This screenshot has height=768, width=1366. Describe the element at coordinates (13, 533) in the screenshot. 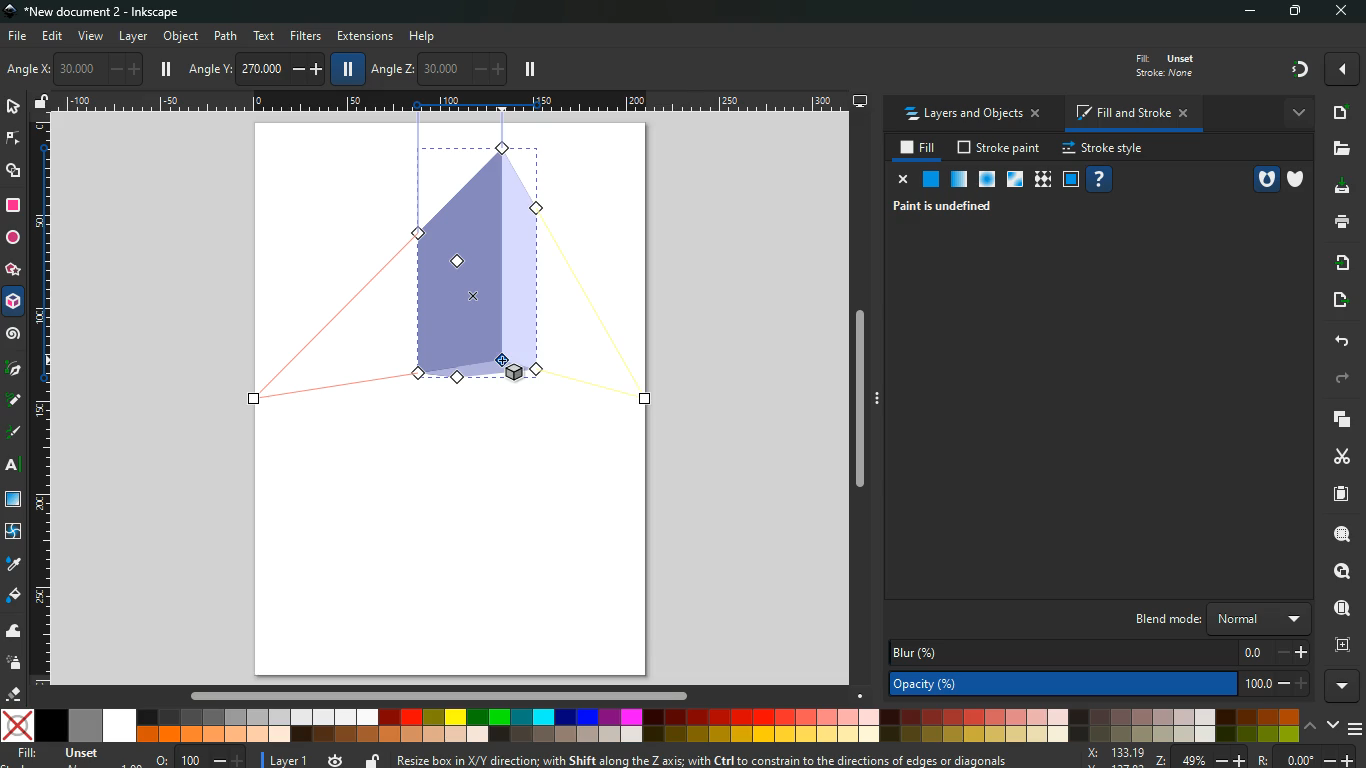

I see `twist` at that location.